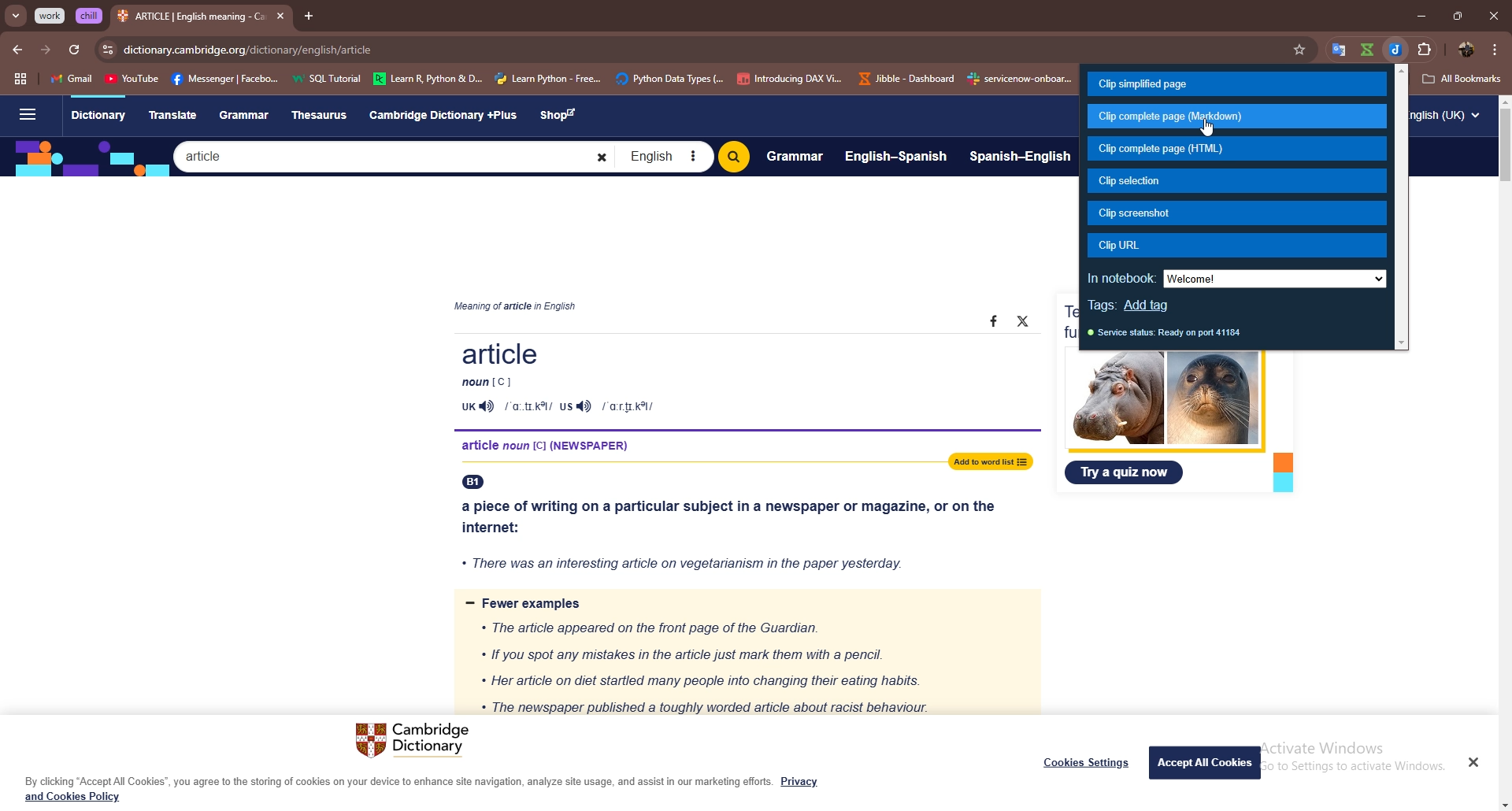 The image size is (1512, 811). What do you see at coordinates (733, 157) in the screenshot?
I see `Search bitton` at bounding box center [733, 157].